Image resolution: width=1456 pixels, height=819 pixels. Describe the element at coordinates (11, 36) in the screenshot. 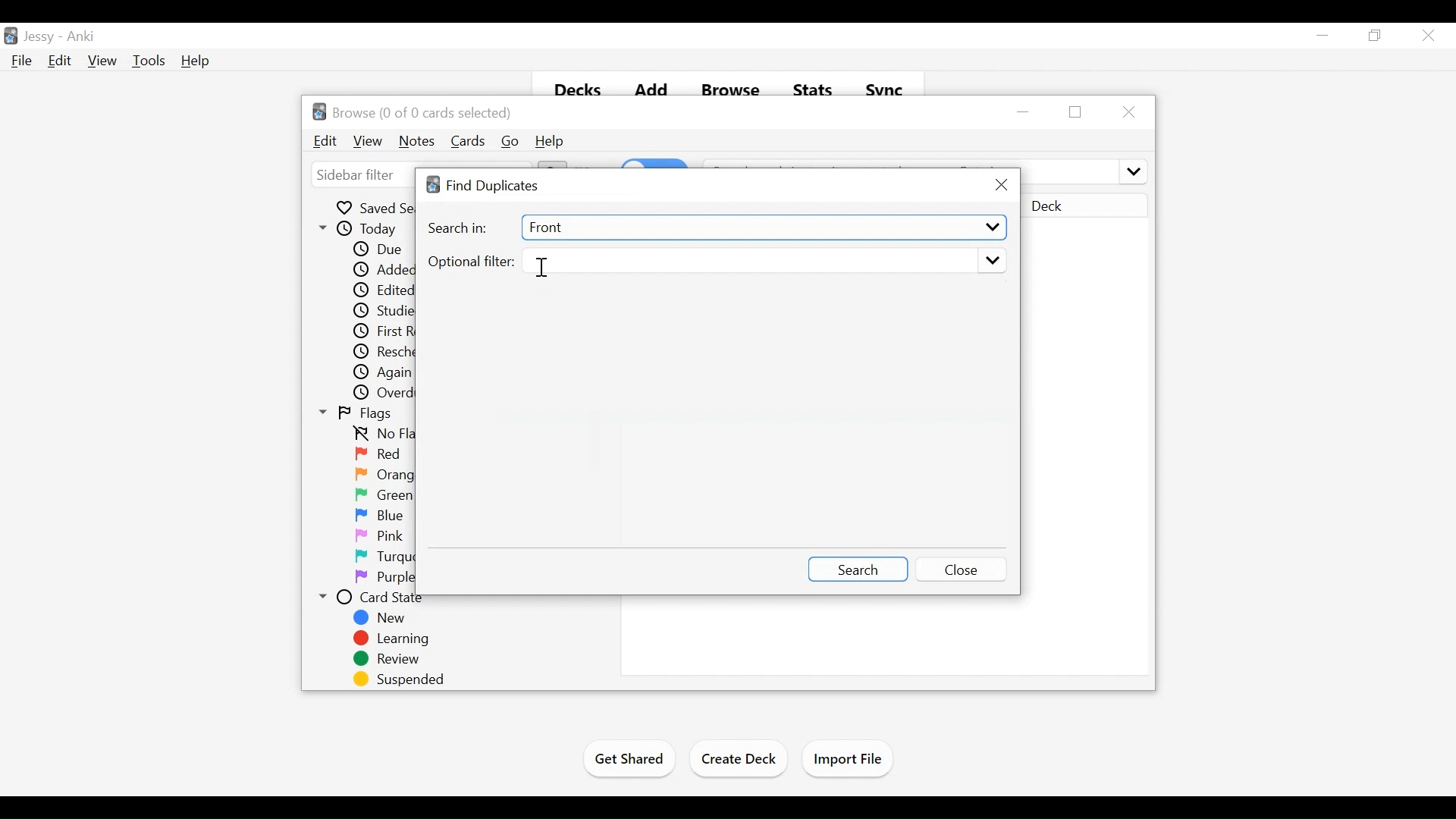

I see `Anki Desktop Icon` at that location.